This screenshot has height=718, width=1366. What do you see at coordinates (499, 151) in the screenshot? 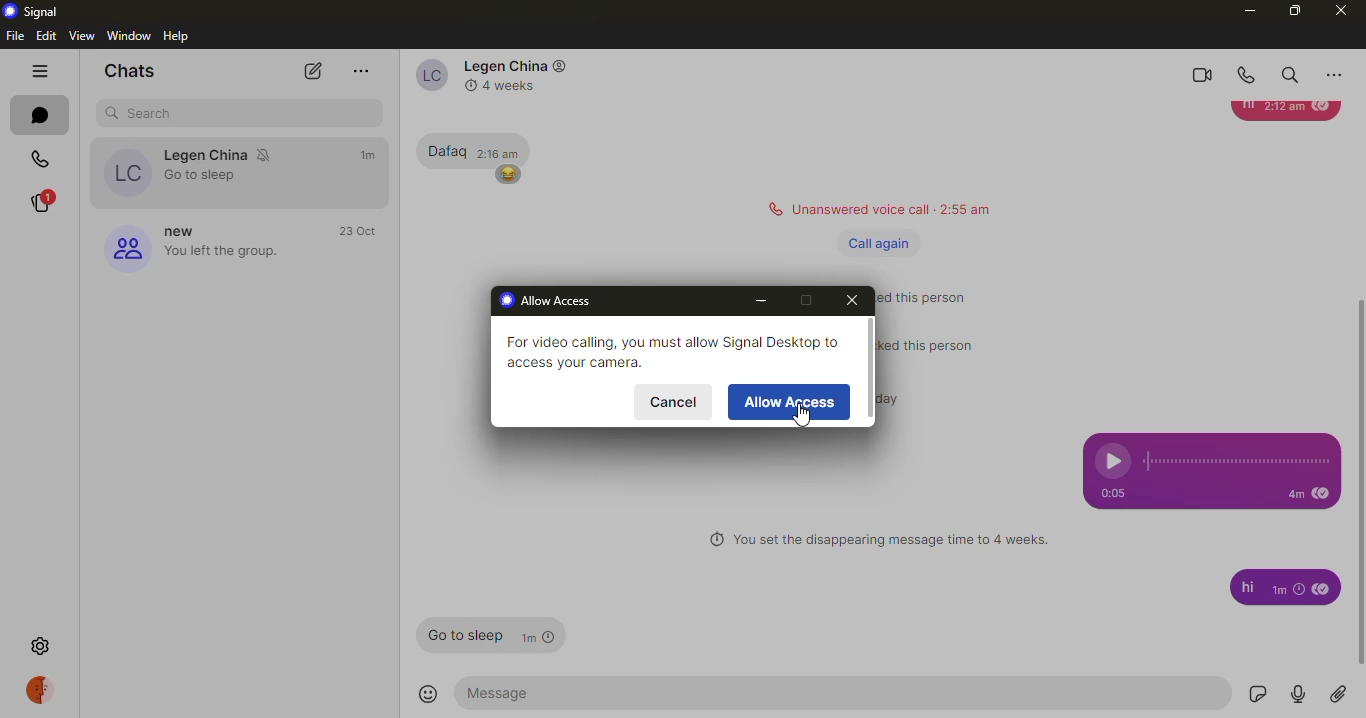
I see `2:16 am` at bounding box center [499, 151].